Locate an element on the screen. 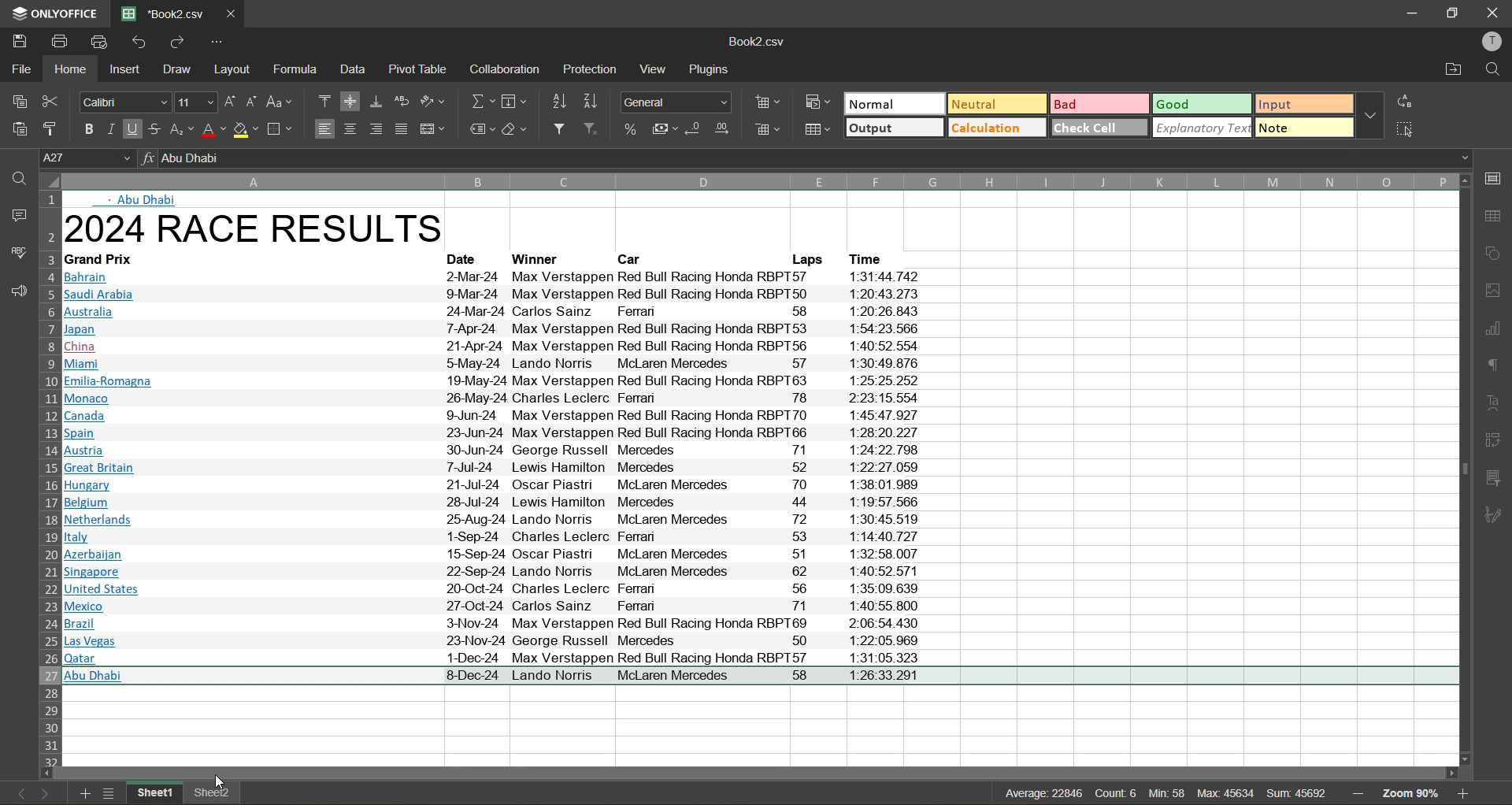 This screenshot has width=1512, height=805. replace is located at coordinates (1406, 102).